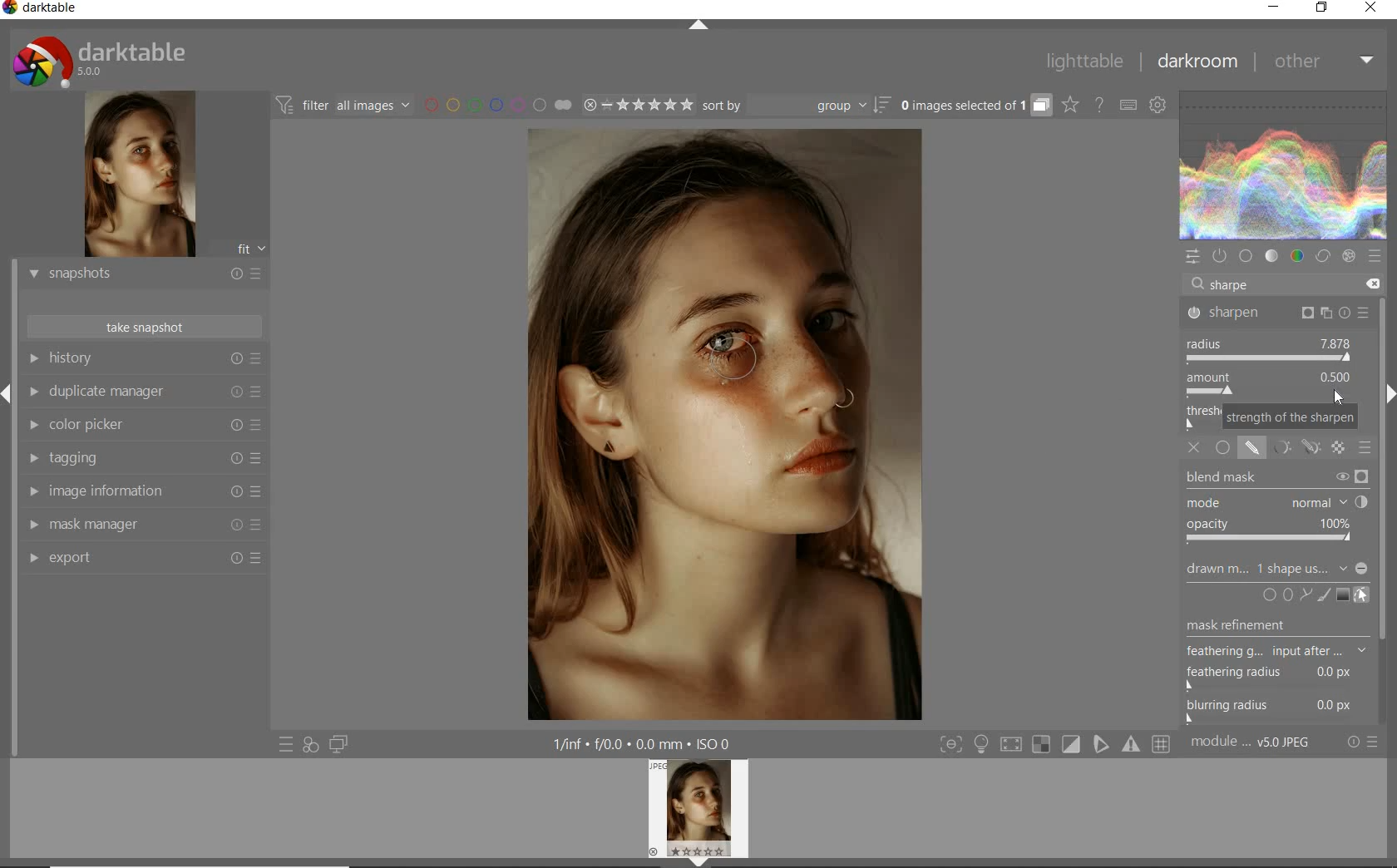 This screenshot has width=1397, height=868. Describe the element at coordinates (144, 394) in the screenshot. I see `duplicate manager` at that location.